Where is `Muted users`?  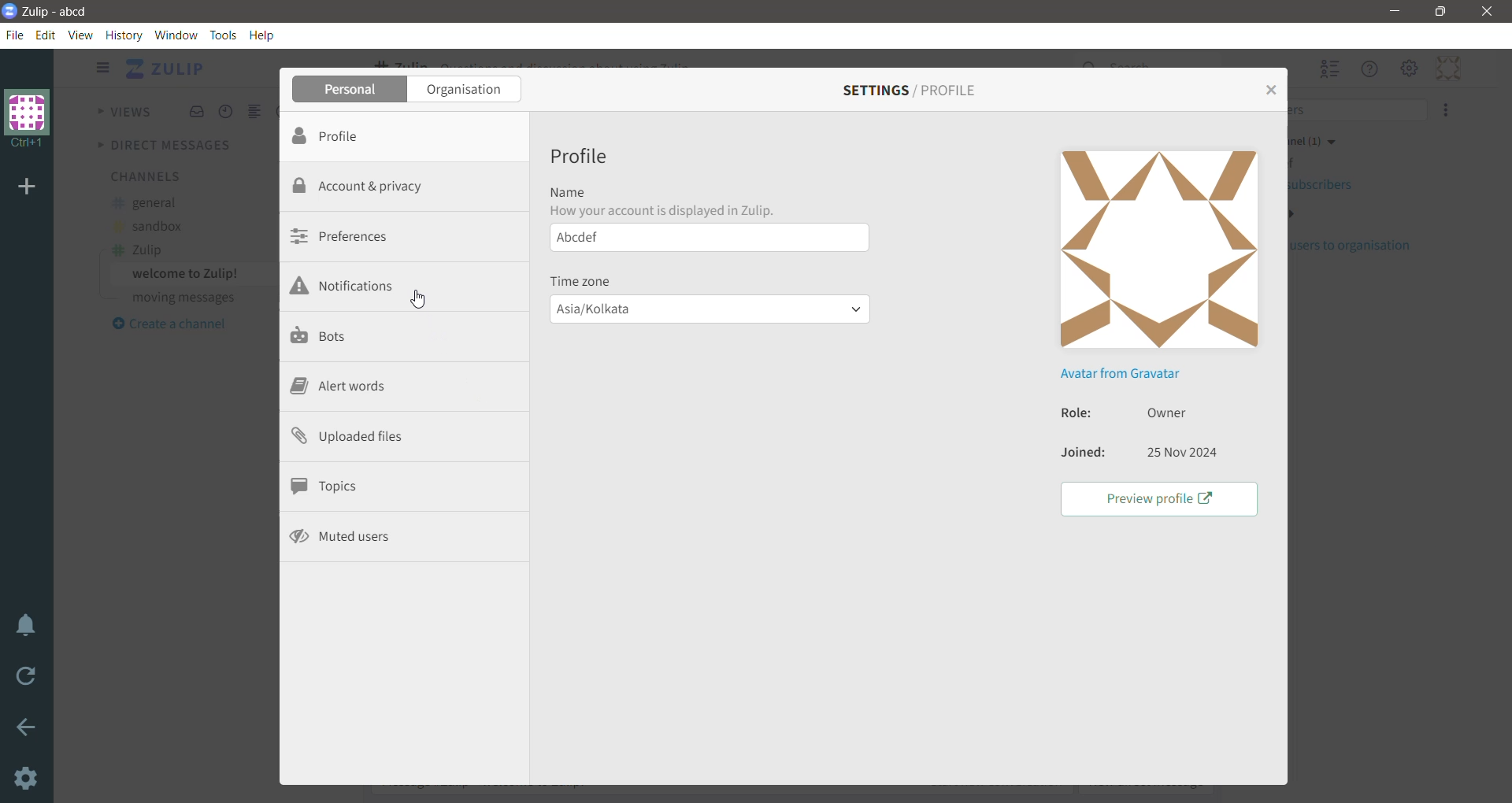
Muted users is located at coordinates (344, 536).